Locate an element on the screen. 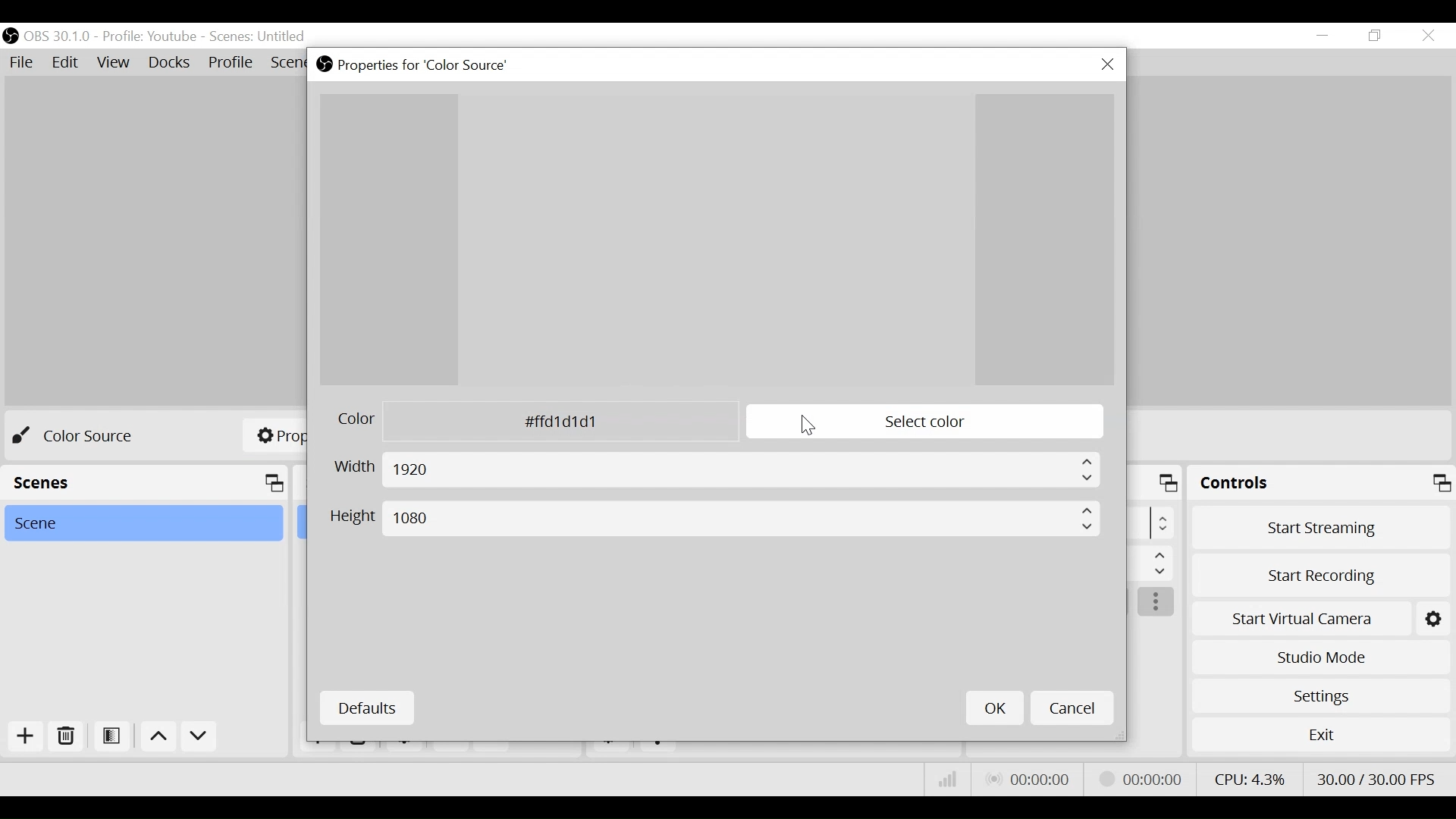  Edit is located at coordinates (65, 61).